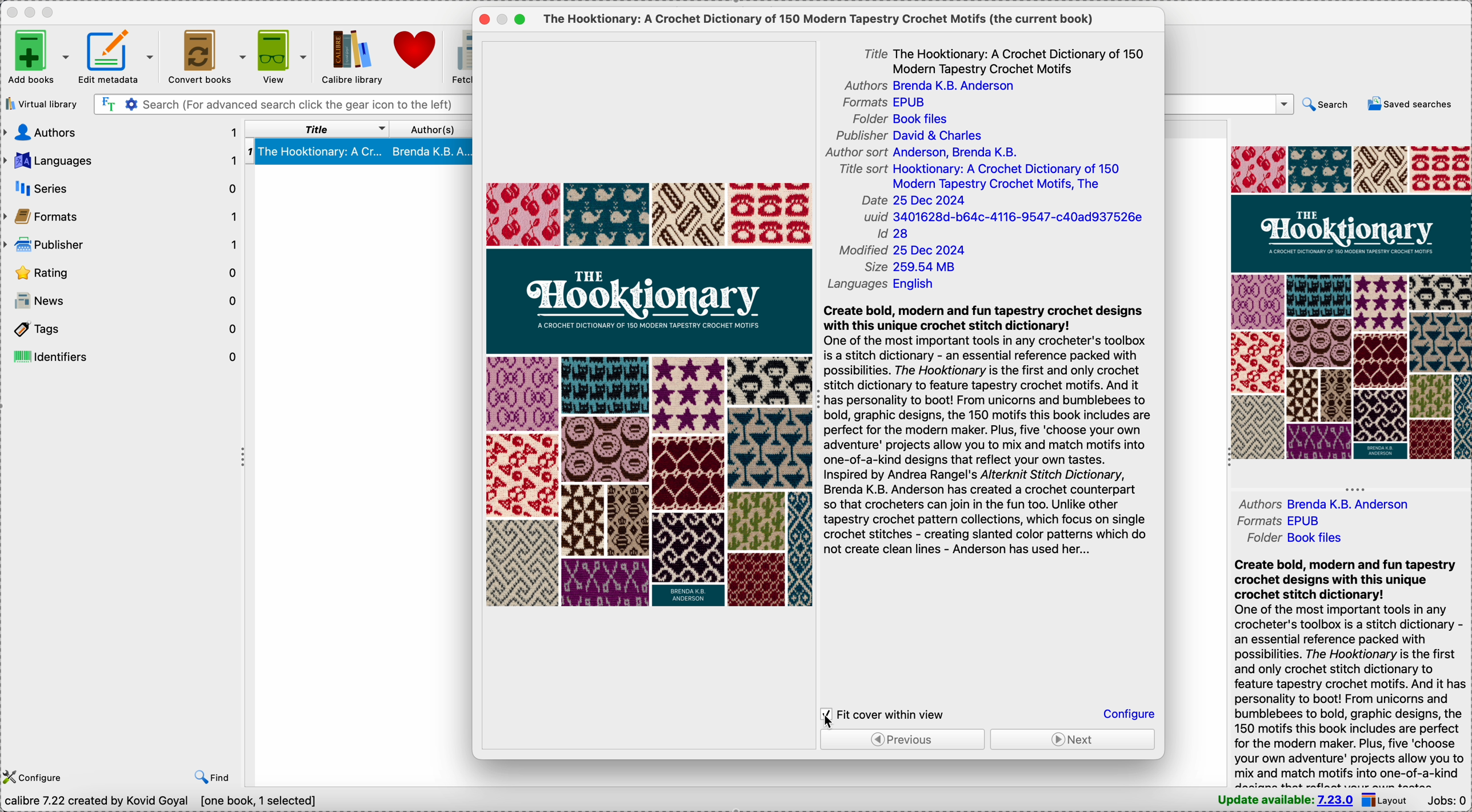 This screenshot has width=1472, height=812. I want to click on Jobs: 0, so click(1447, 801).